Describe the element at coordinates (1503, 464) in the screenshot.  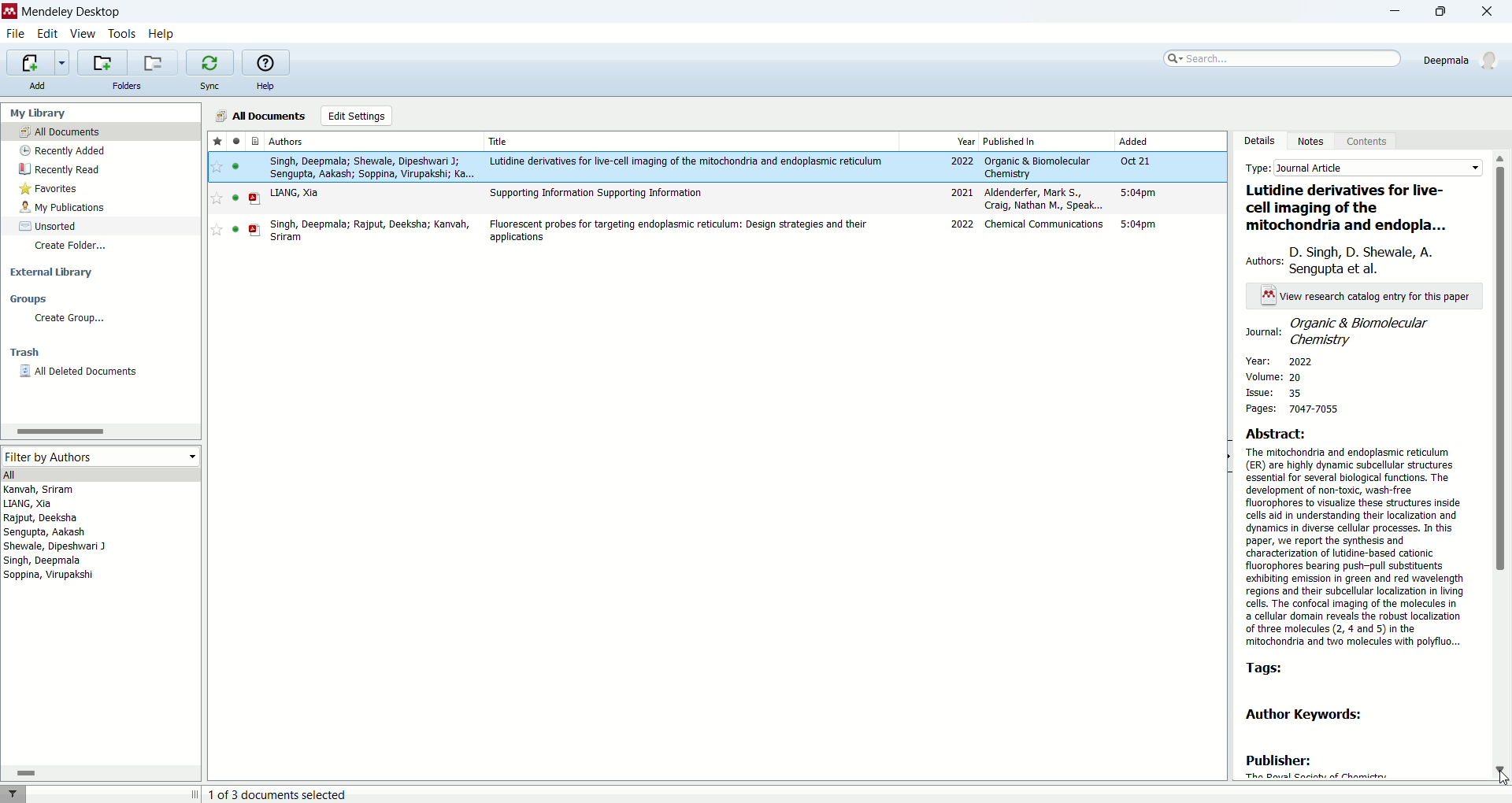
I see `vertical scroll bar` at that location.